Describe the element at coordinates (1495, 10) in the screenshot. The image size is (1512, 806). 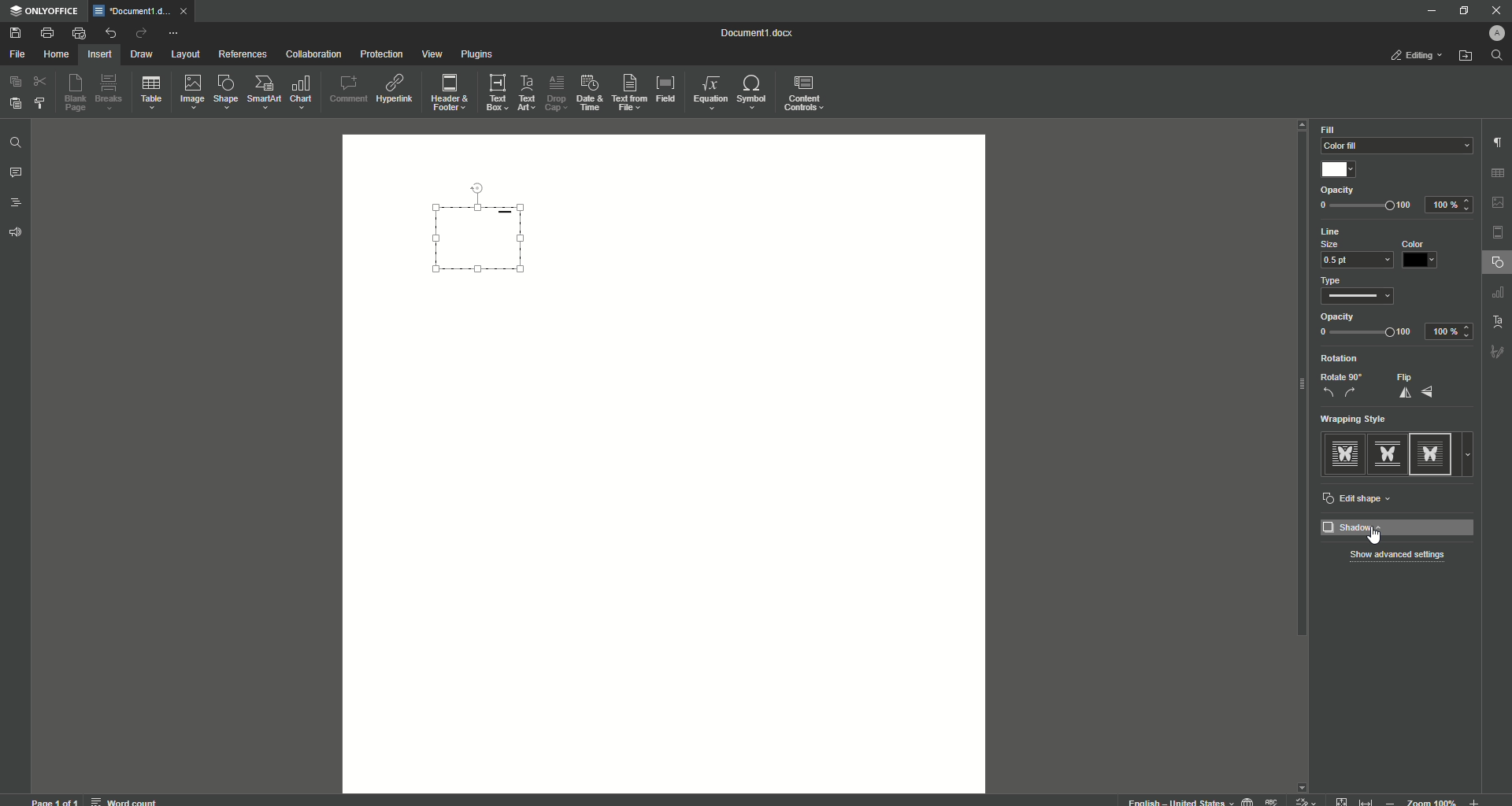
I see `Close` at that location.